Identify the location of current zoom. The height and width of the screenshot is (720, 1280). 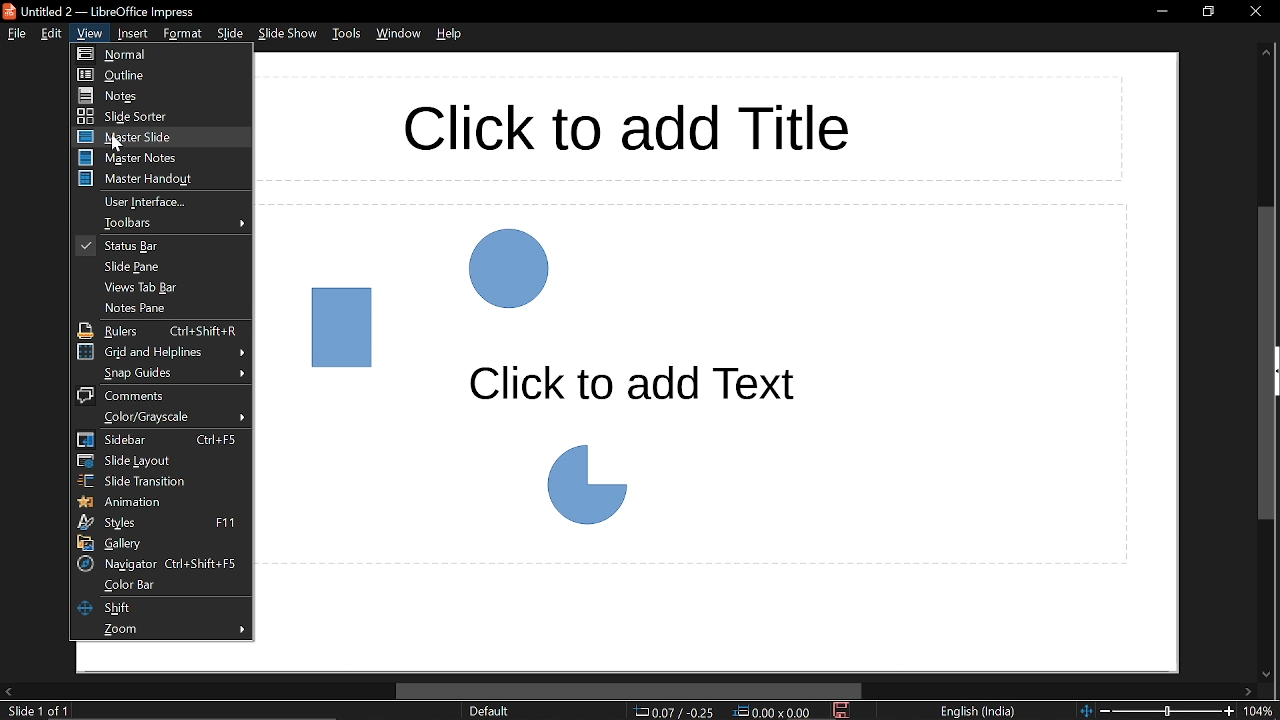
(1262, 712).